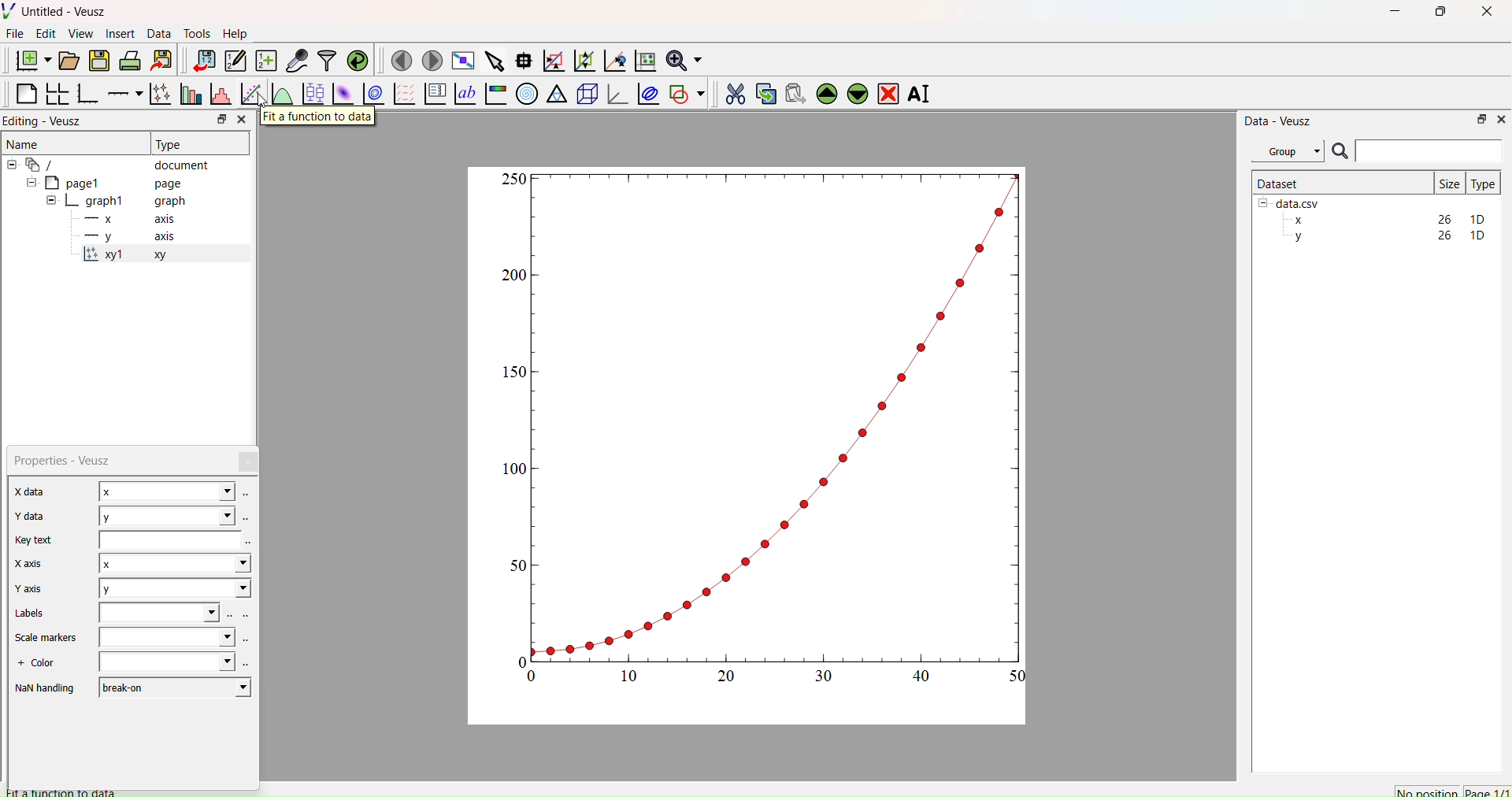 The height and width of the screenshot is (797, 1512). I want to click on page1 page, so click(105, 182).